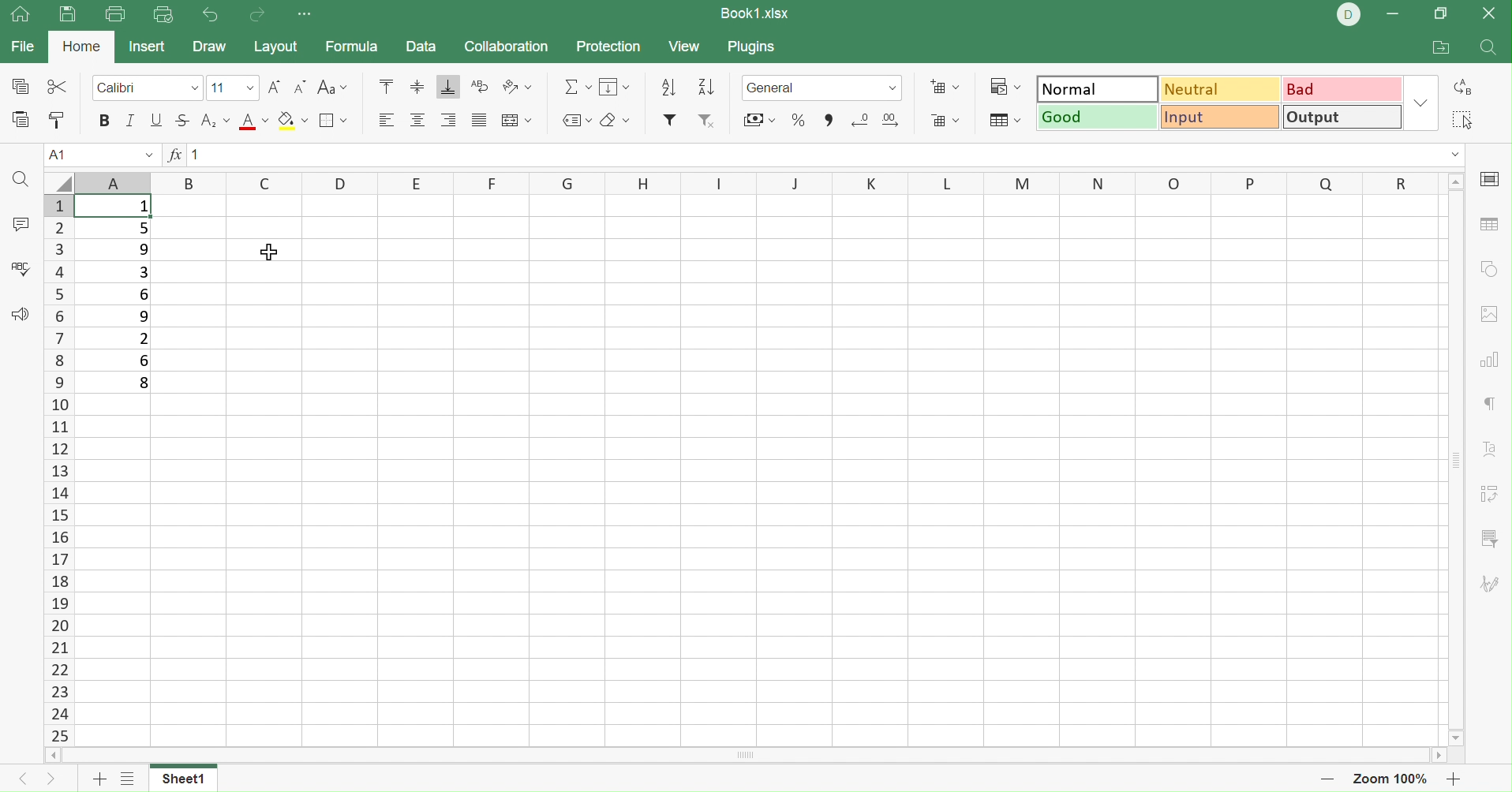 The image size is (1512, 792). I want to click on Close, so click(1493, 13).